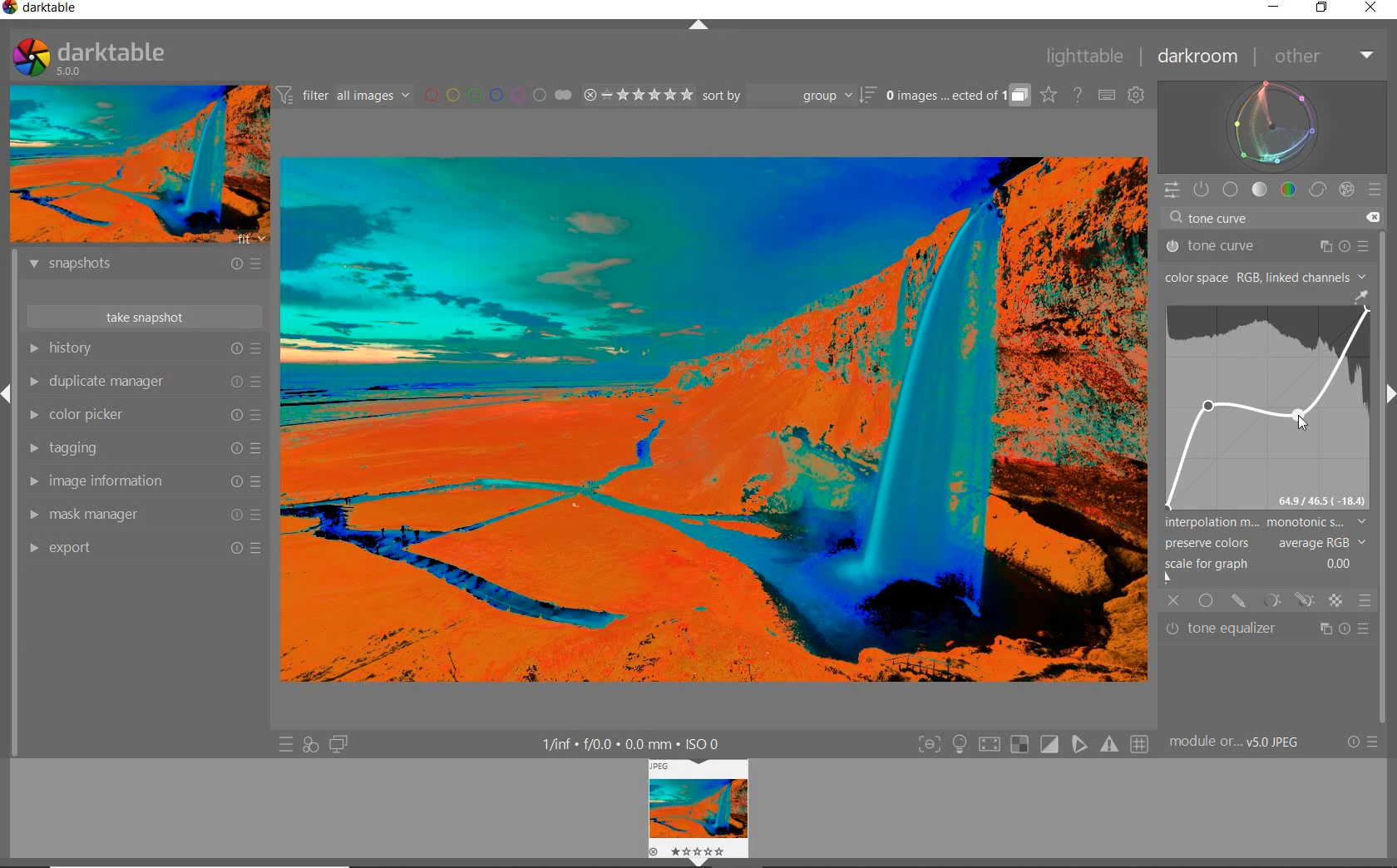  I want to click on MODULE...v5.0 JPEG, so click(1239, 743).